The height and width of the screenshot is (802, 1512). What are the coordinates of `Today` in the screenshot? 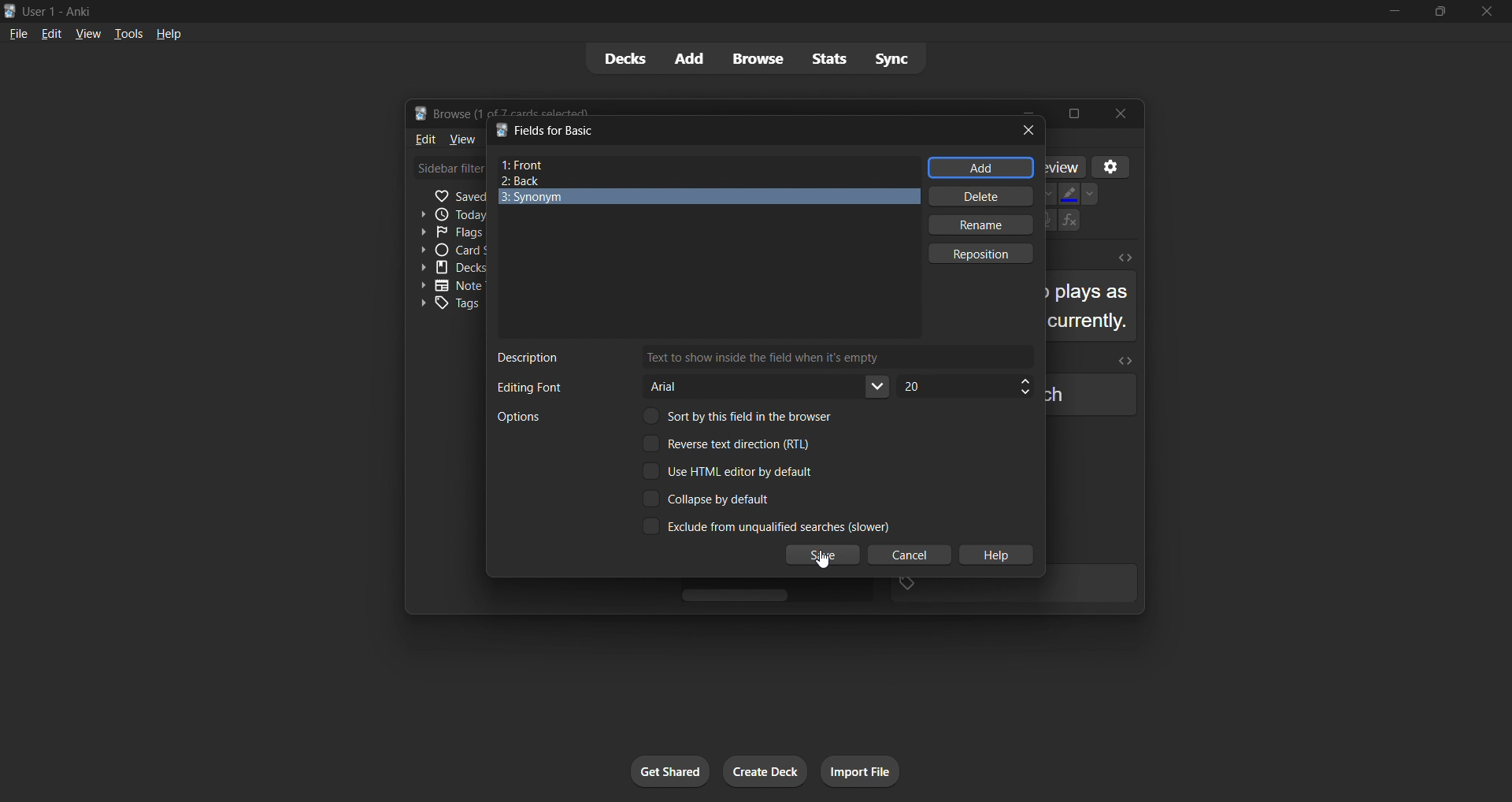 It's located at (450, 213).